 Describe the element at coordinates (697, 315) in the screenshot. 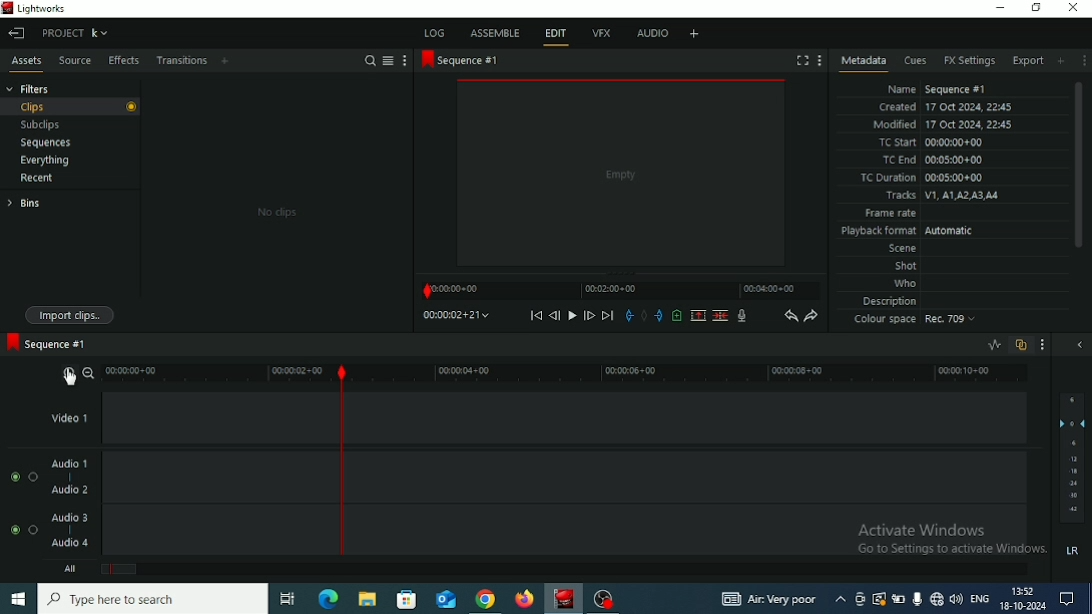

I see `Remove the marked section` at that location.